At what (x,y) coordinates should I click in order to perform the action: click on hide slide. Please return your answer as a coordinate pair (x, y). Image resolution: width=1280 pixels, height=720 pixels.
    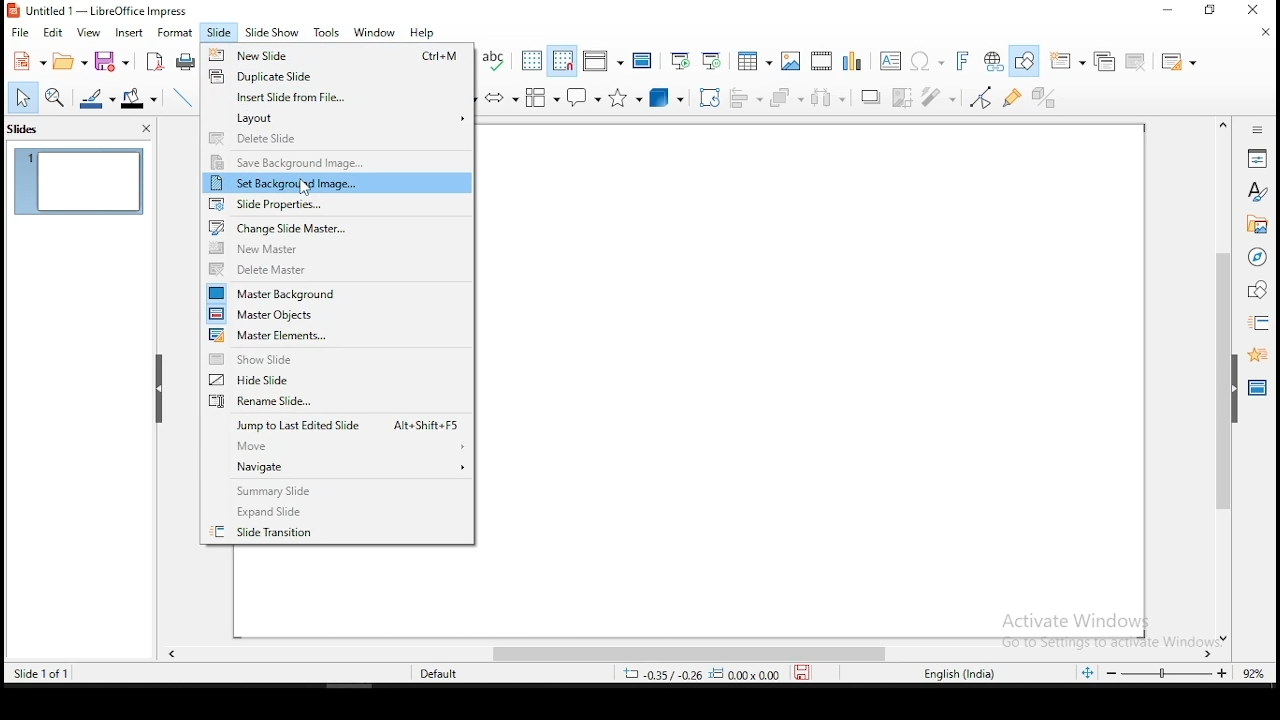
    Looking at the image, I should click on (335, 380).